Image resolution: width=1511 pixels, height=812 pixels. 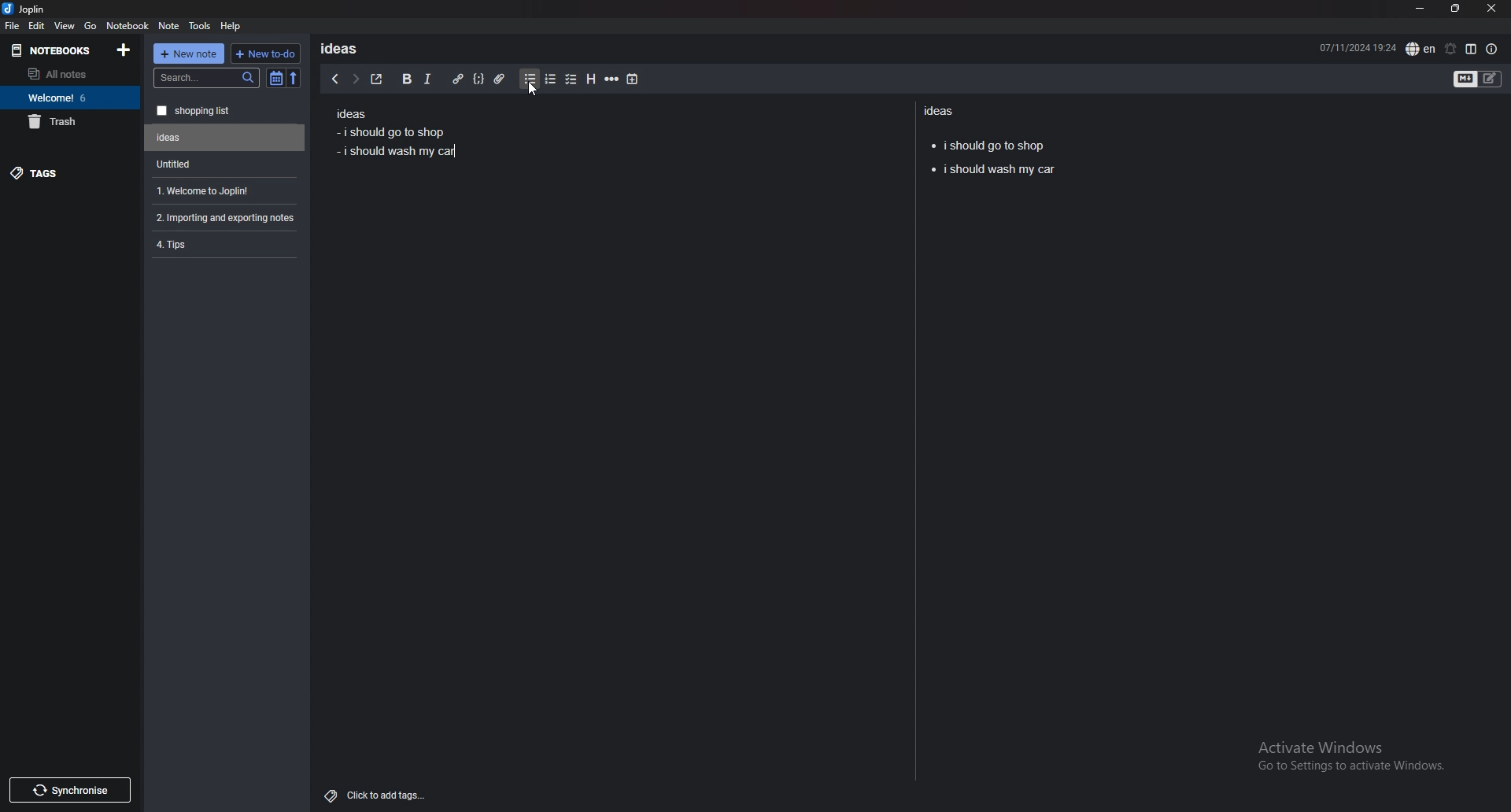 What do you see at coordinates (350, 115) in the screenshot?
I see `ideas` at bounding box center [350, 115].